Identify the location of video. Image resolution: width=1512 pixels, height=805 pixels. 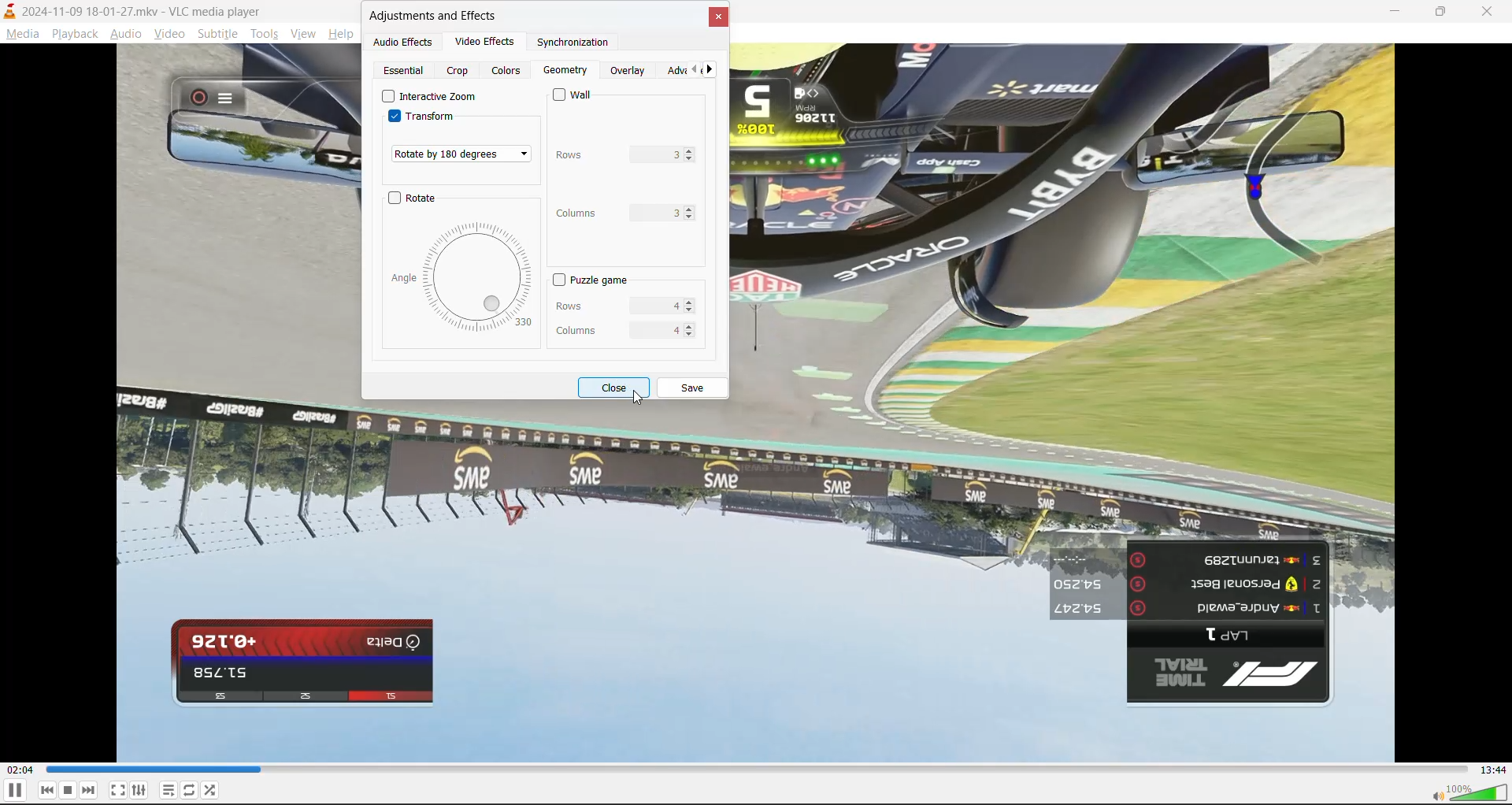
(169, 37).